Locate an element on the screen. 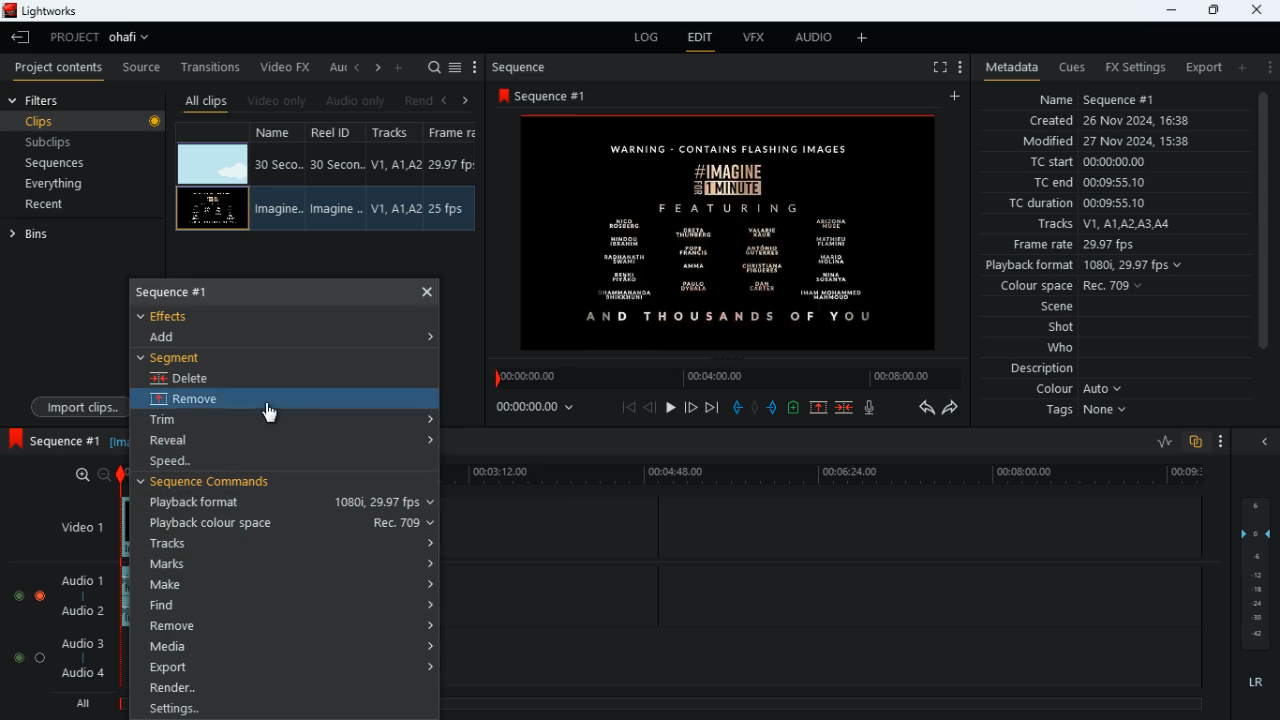 Image resolution: width=1280 pixels, height=720 pixels. tracks is located at coordinates (1098, 225).